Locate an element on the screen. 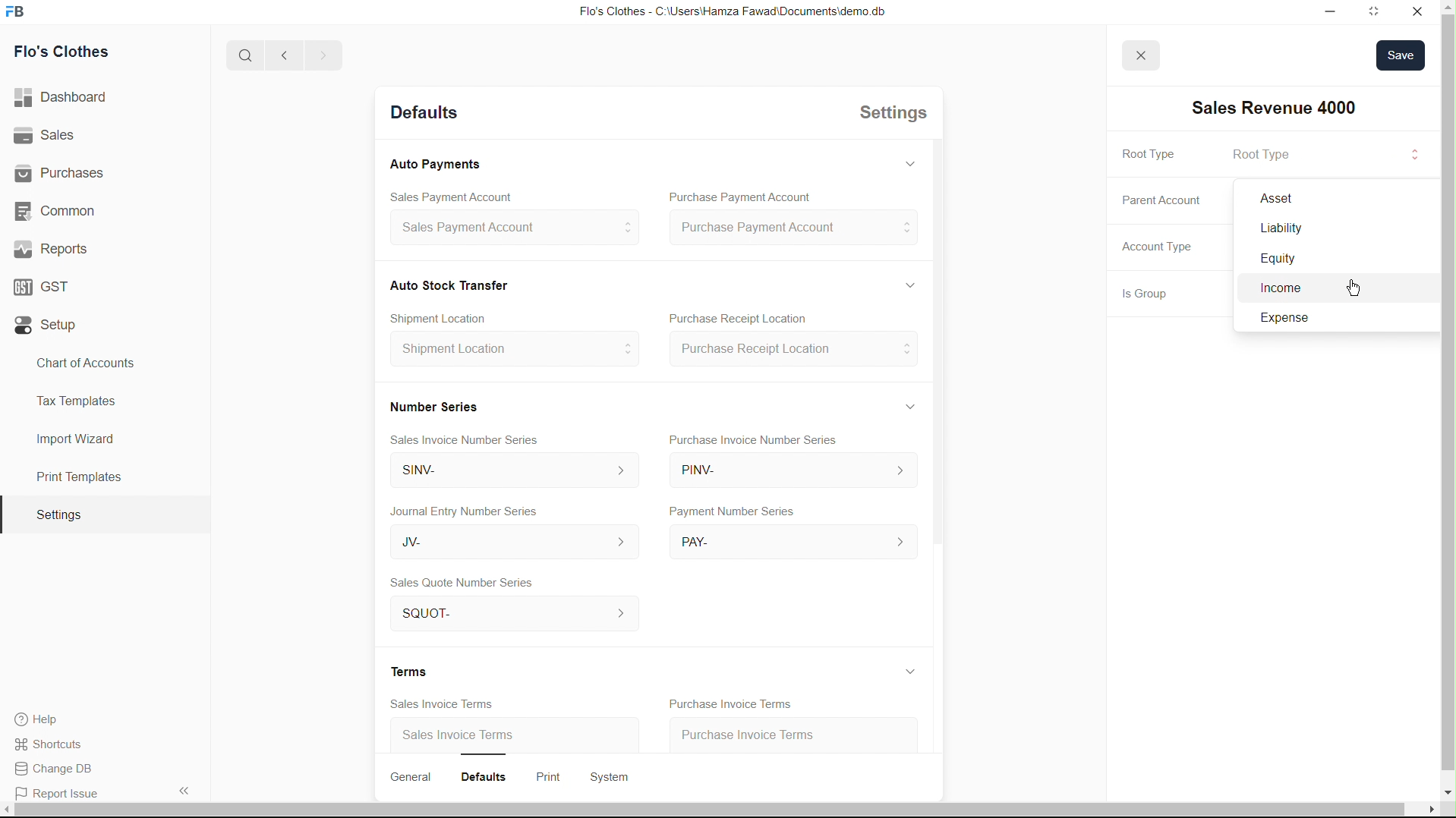  Change DB is located at coordinates (58, 769).